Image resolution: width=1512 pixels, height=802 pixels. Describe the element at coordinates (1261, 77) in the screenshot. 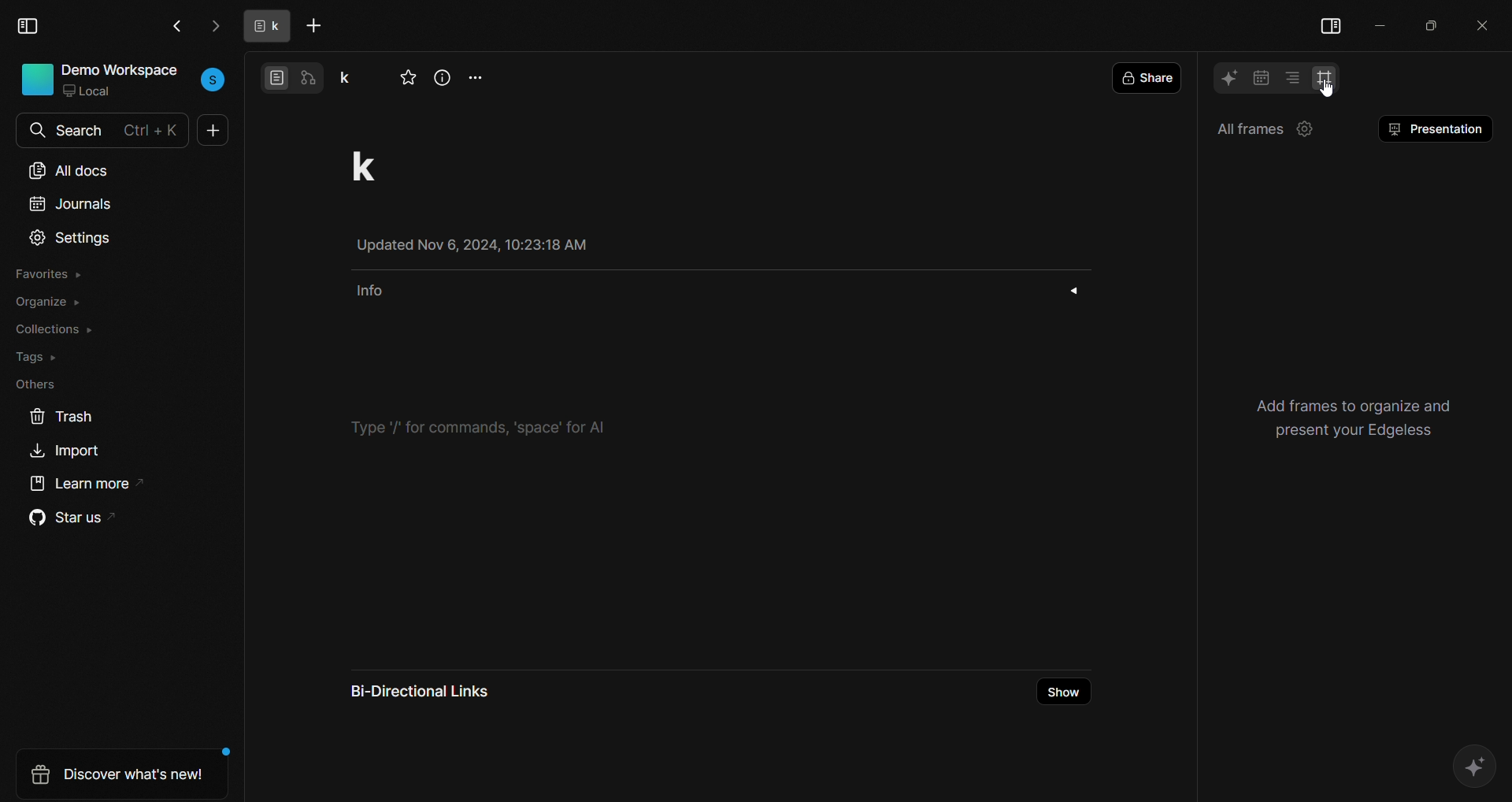

I see `calendar` at that location.